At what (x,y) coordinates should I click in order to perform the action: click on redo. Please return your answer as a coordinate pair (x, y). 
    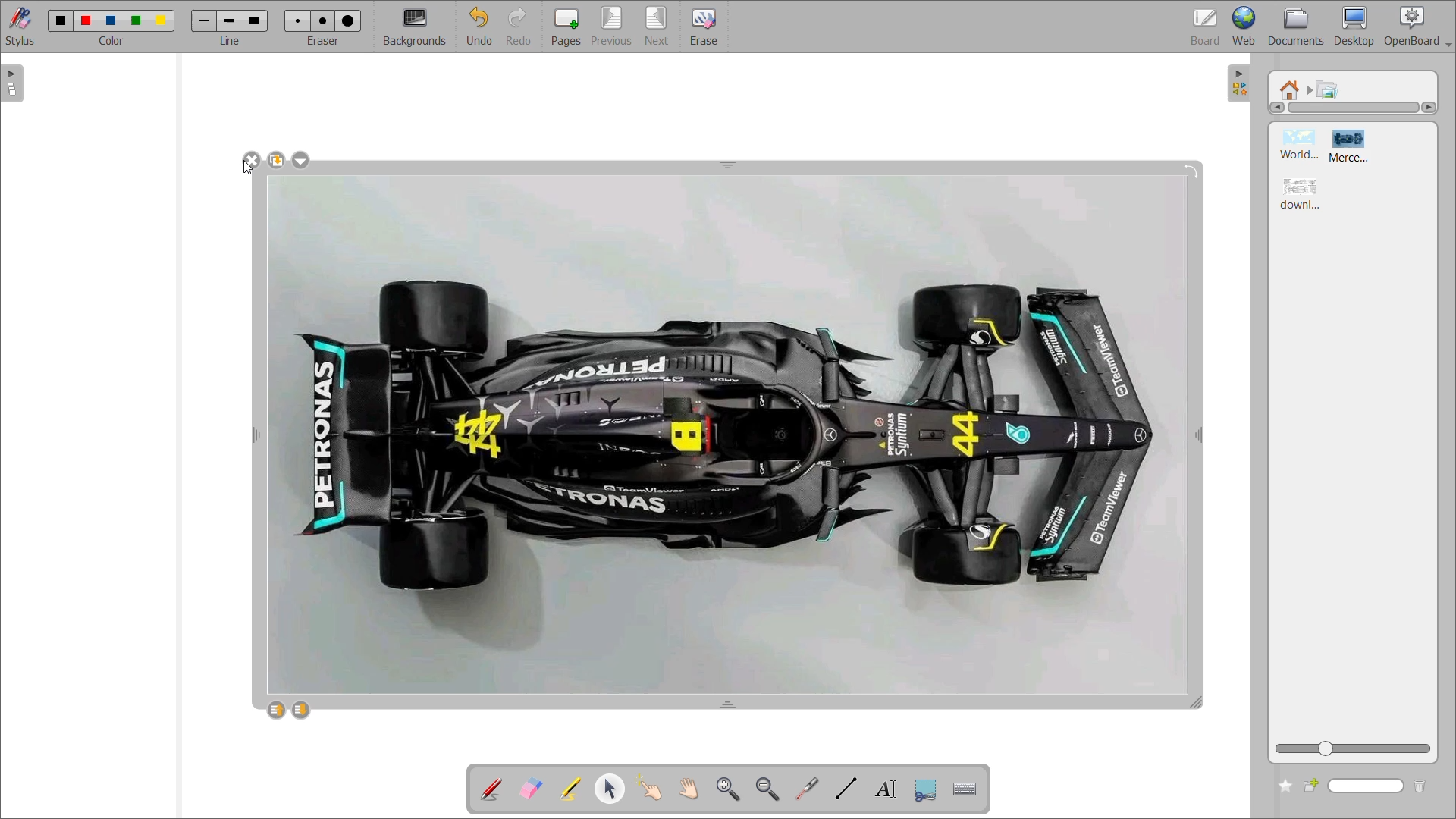
    Looking at the image, I should click on (519, 25).